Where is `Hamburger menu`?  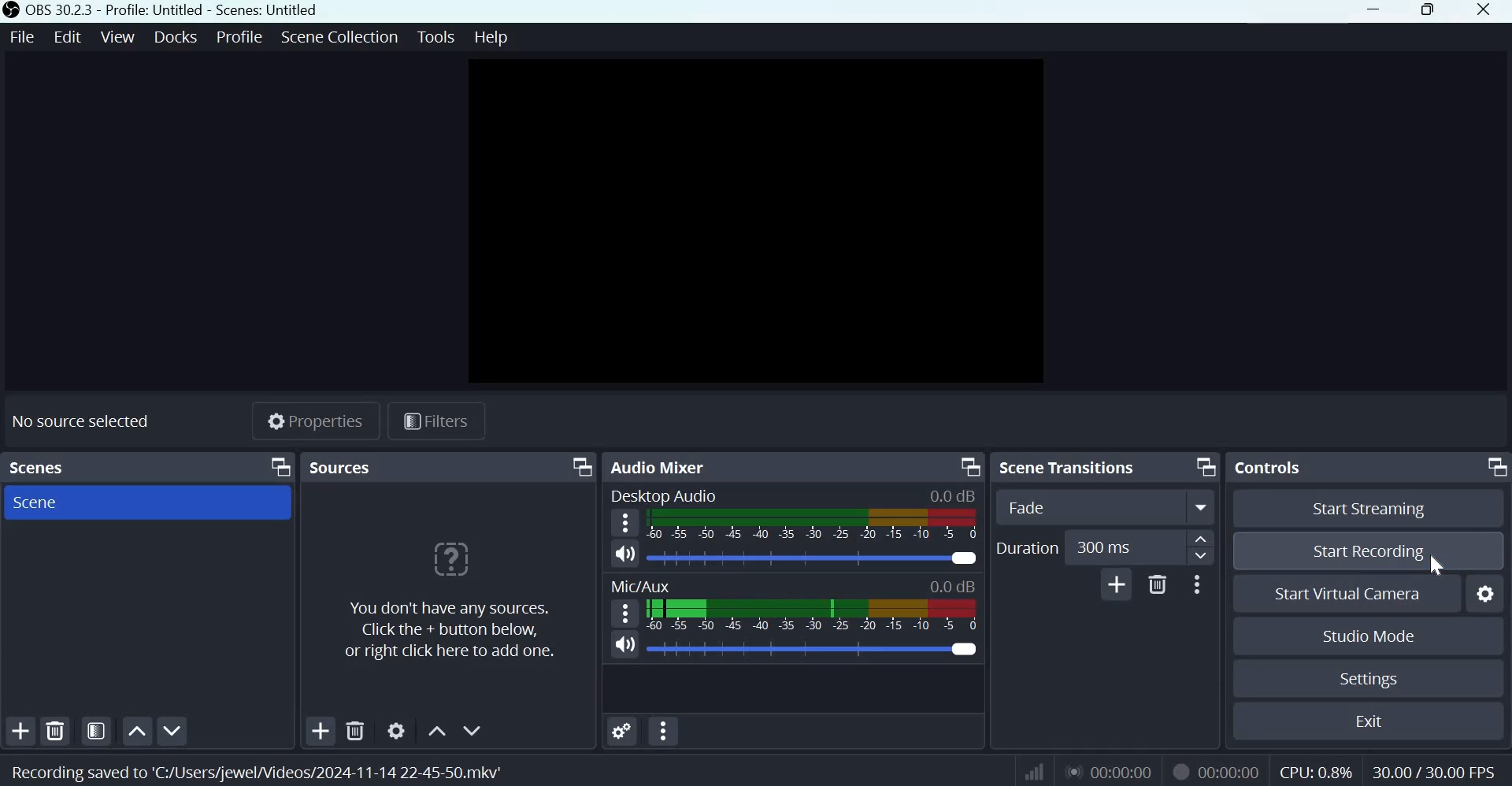
Hamburger menu is located at coordinates (627, 523).